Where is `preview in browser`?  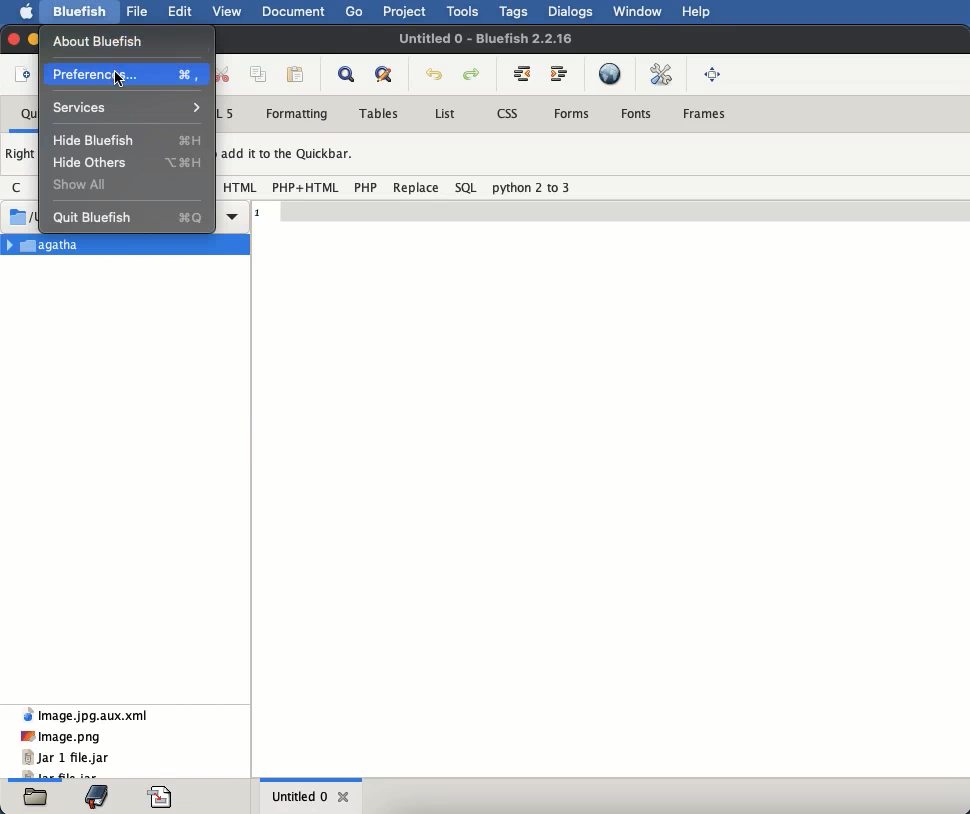 preview in browser is located at coordinates (610, 73).